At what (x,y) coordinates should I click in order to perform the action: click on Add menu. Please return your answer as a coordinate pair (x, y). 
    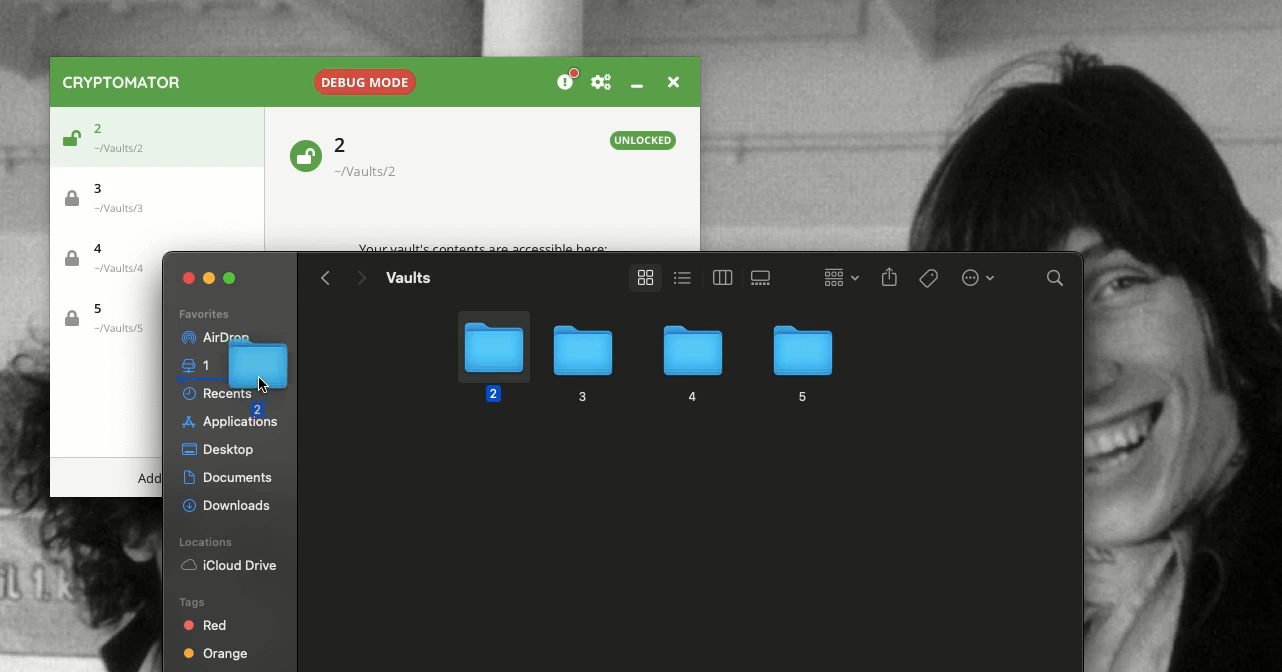
    Looking at the image, I should click on (149, 479).